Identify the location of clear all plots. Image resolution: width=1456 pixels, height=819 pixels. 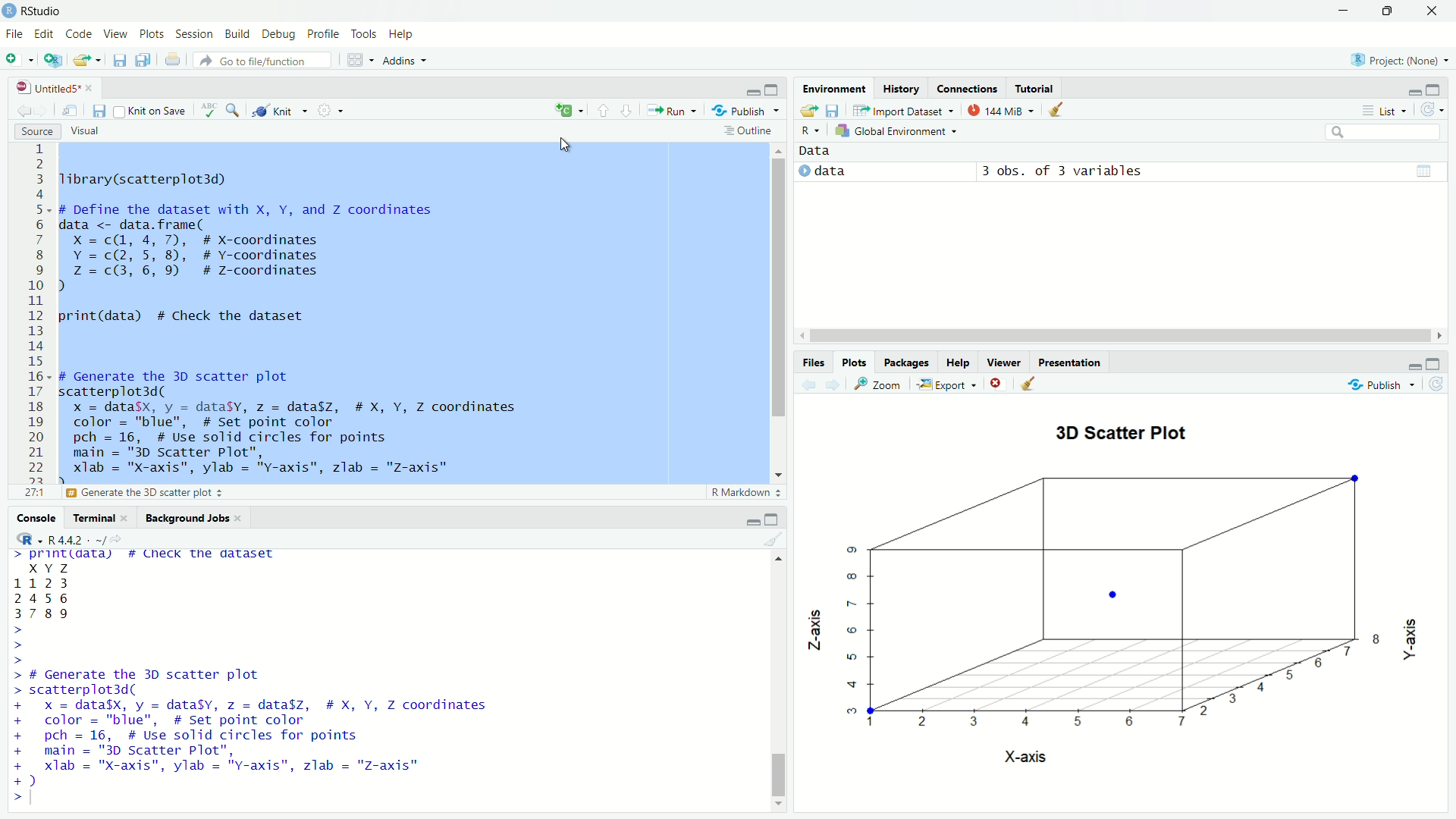
(1028, 384).